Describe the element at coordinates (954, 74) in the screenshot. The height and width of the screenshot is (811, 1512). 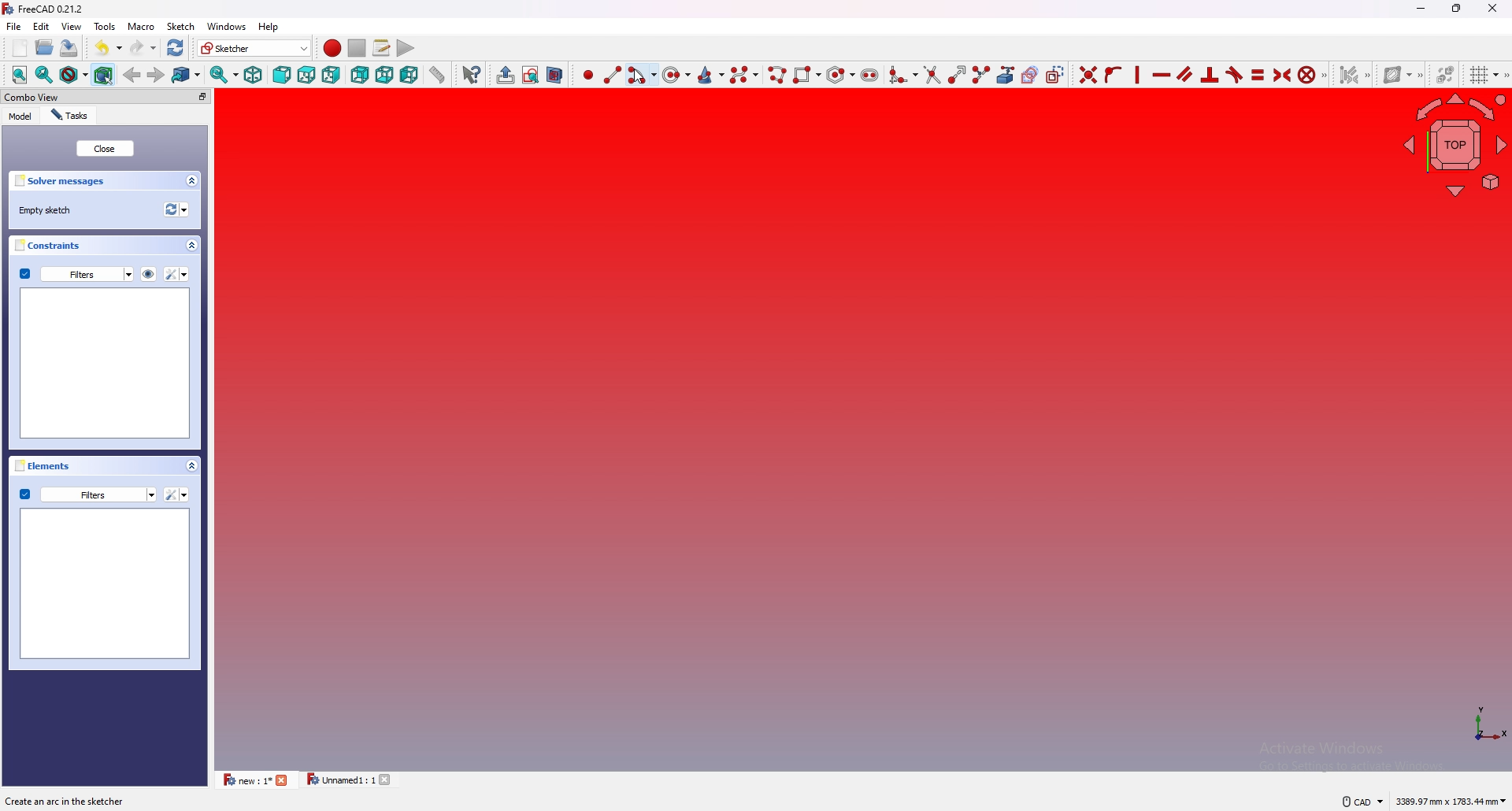
I see `extend edge` at that location.